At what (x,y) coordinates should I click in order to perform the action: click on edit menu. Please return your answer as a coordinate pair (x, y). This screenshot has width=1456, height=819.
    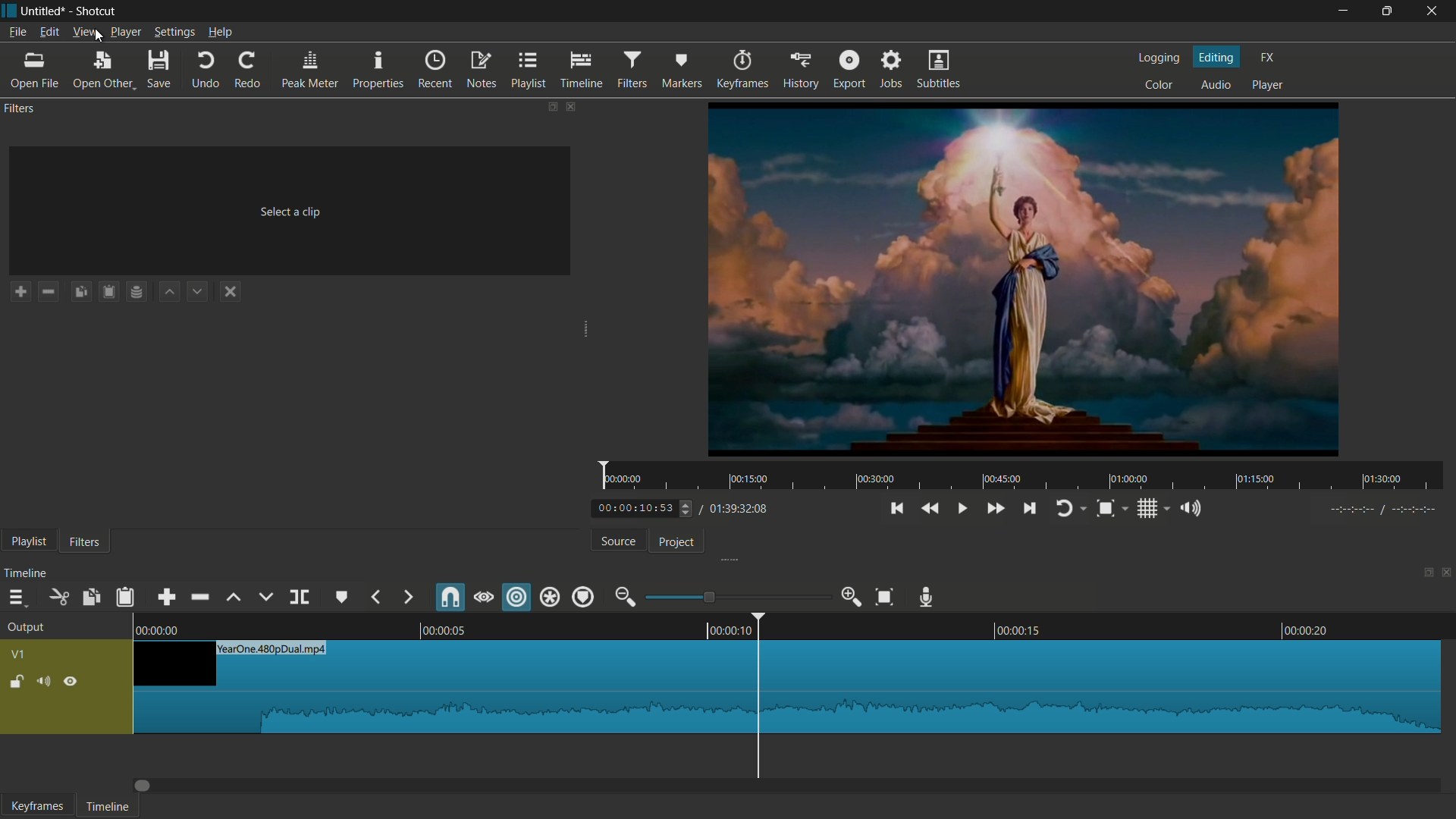
    Looking at the image, I should click on (49, 32).